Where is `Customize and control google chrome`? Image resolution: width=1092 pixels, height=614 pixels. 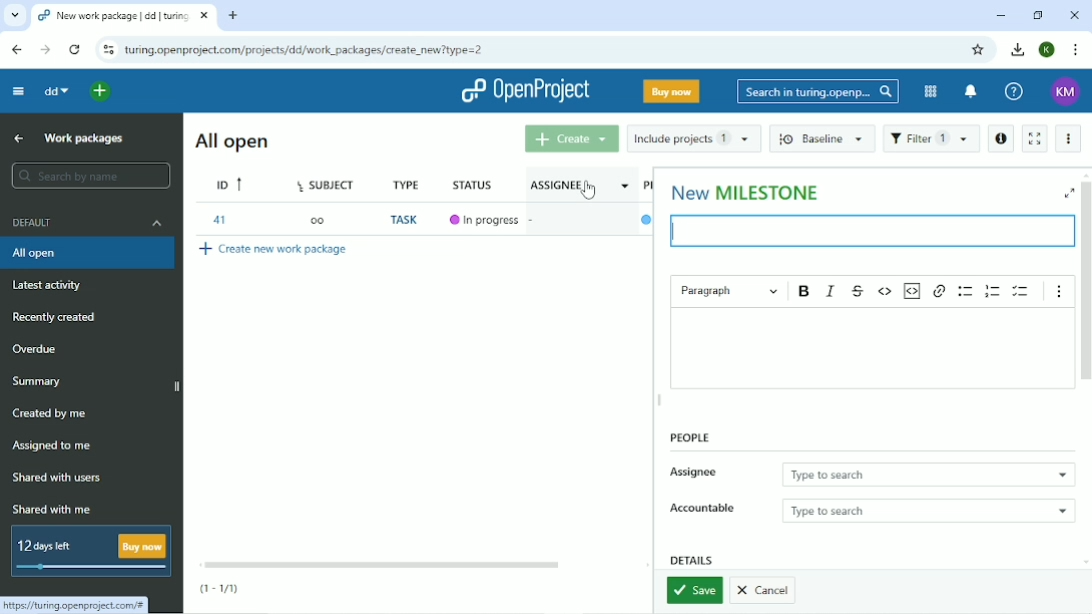
Customize and control google chrome is located at coordinates (1076, 50).